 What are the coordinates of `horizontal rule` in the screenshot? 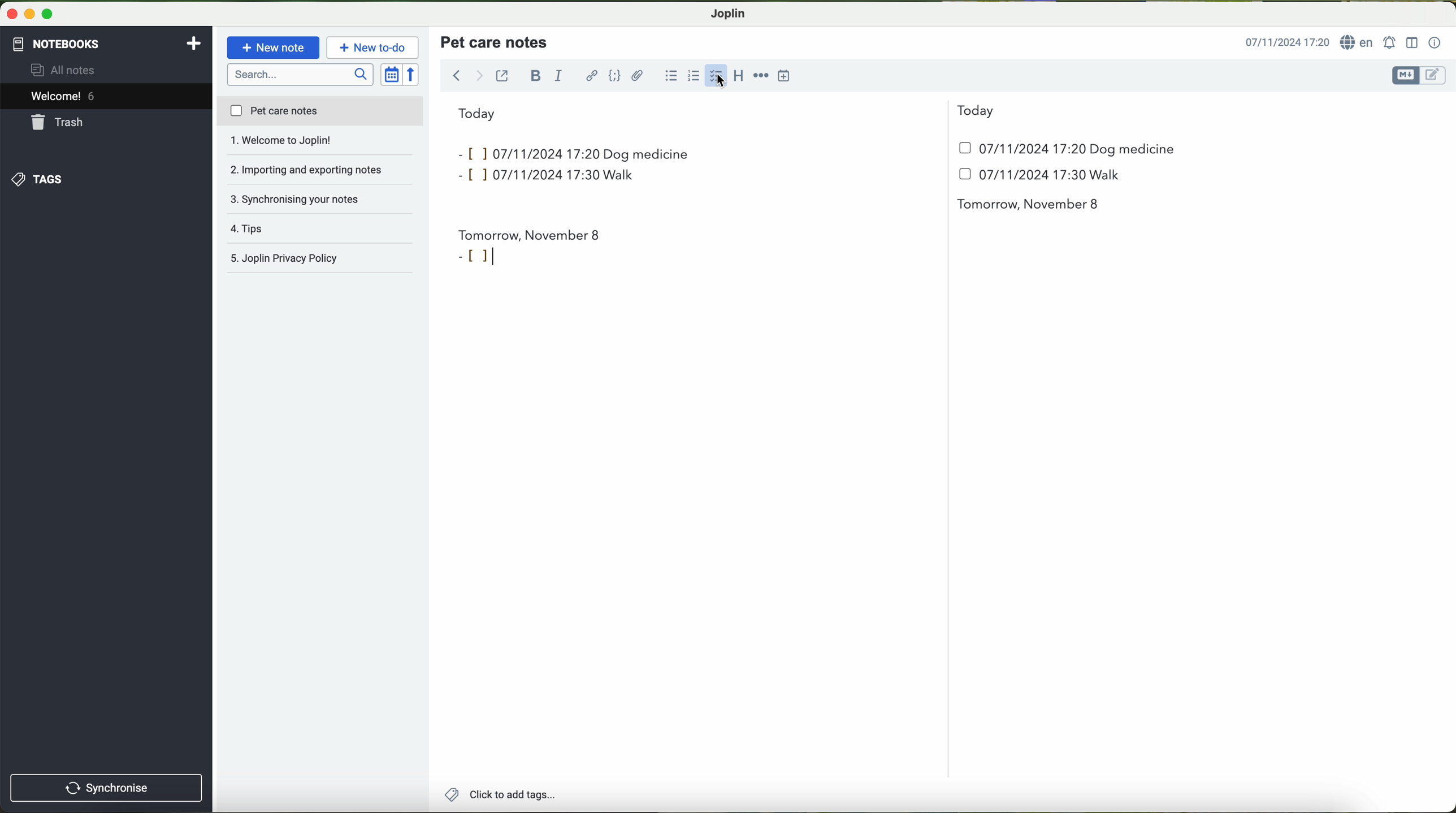 It's located at (763, 76).